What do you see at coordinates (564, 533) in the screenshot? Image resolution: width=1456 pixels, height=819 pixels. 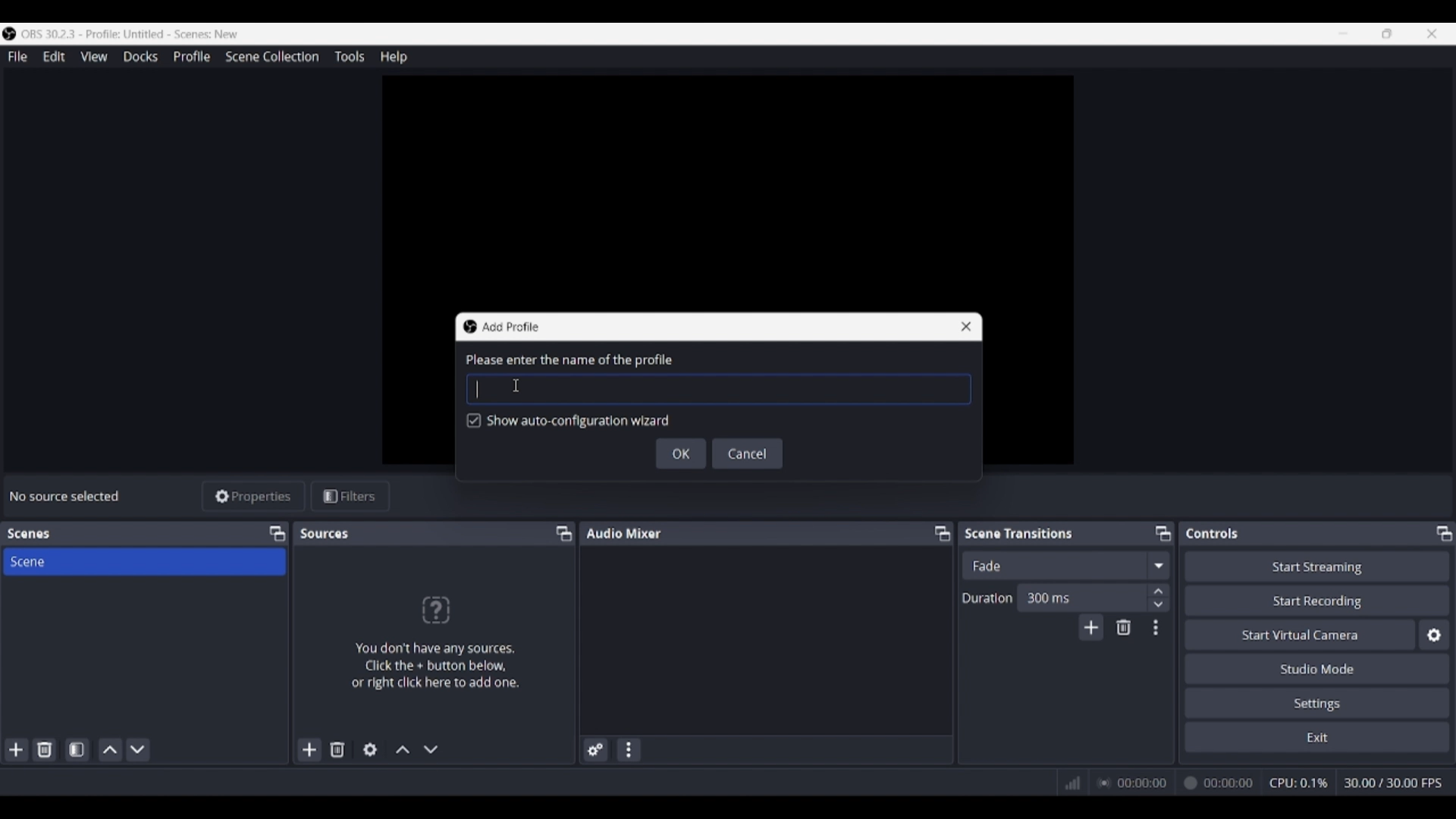 I see `Float Sources` at bounding box center [564, 533].